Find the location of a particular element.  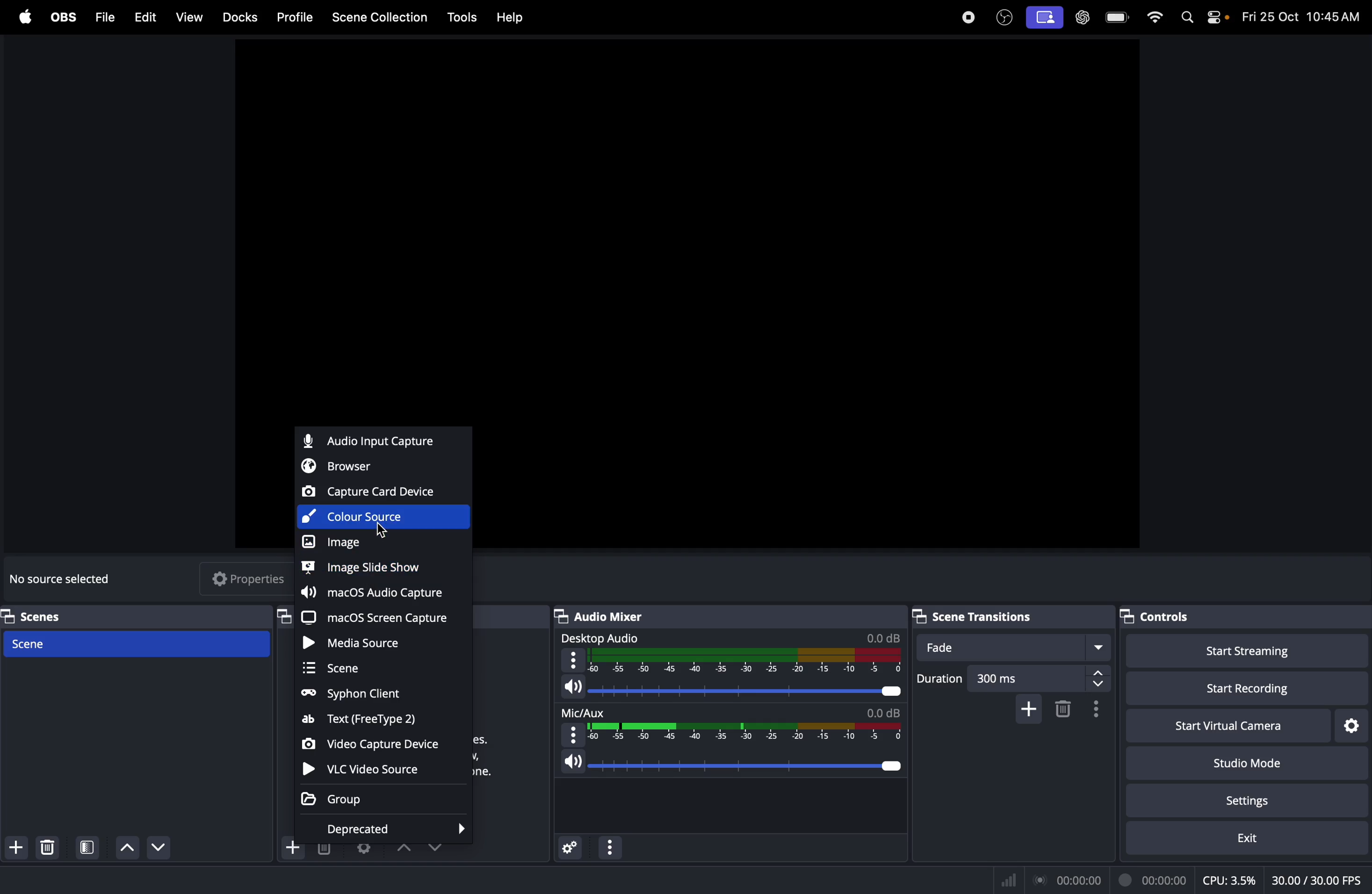

mic aux is located at coordinates (585, 712).